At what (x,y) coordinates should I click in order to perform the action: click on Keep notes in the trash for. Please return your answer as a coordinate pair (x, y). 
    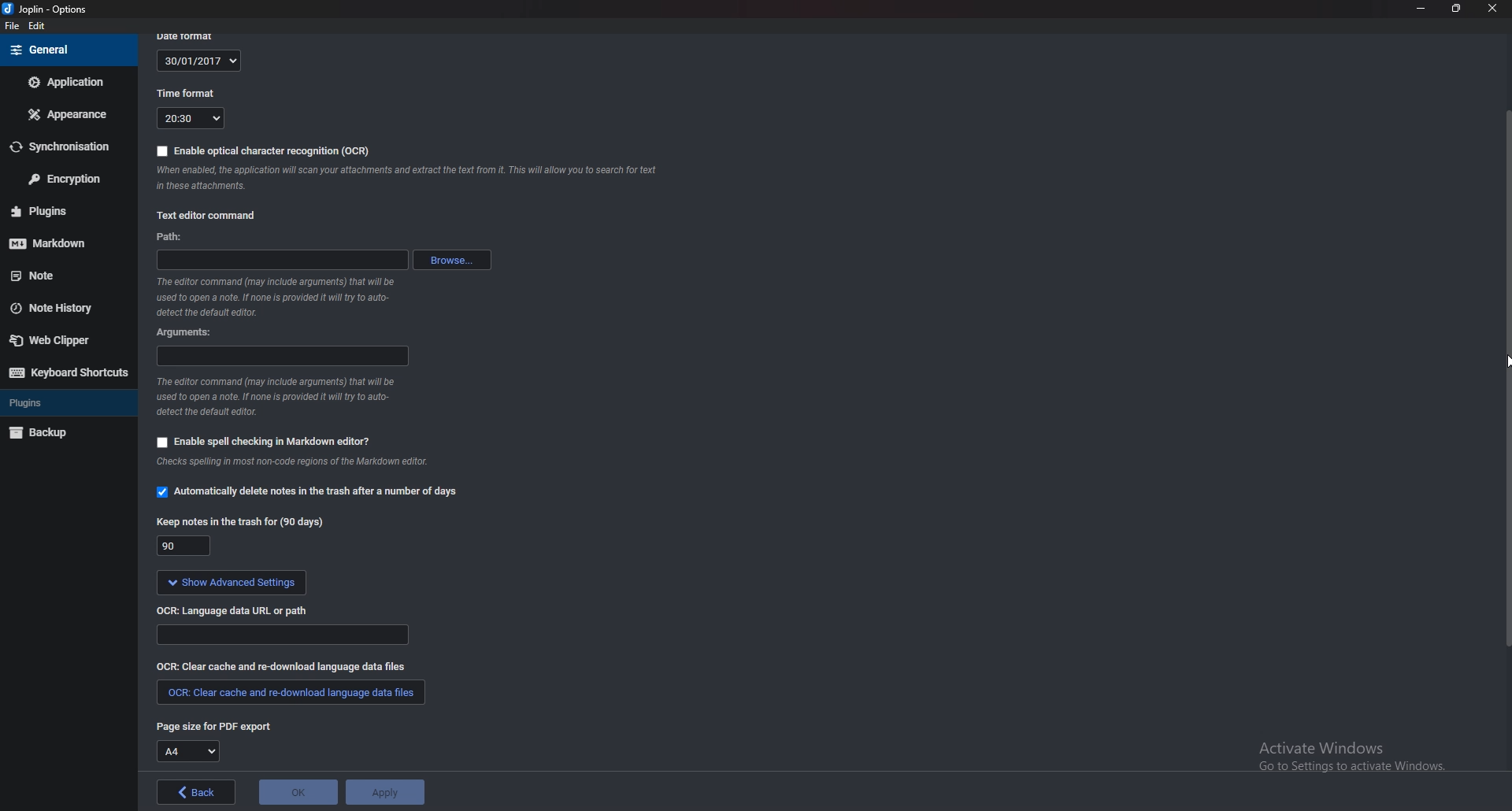
    Looking at the image, I should click on (240, 524).